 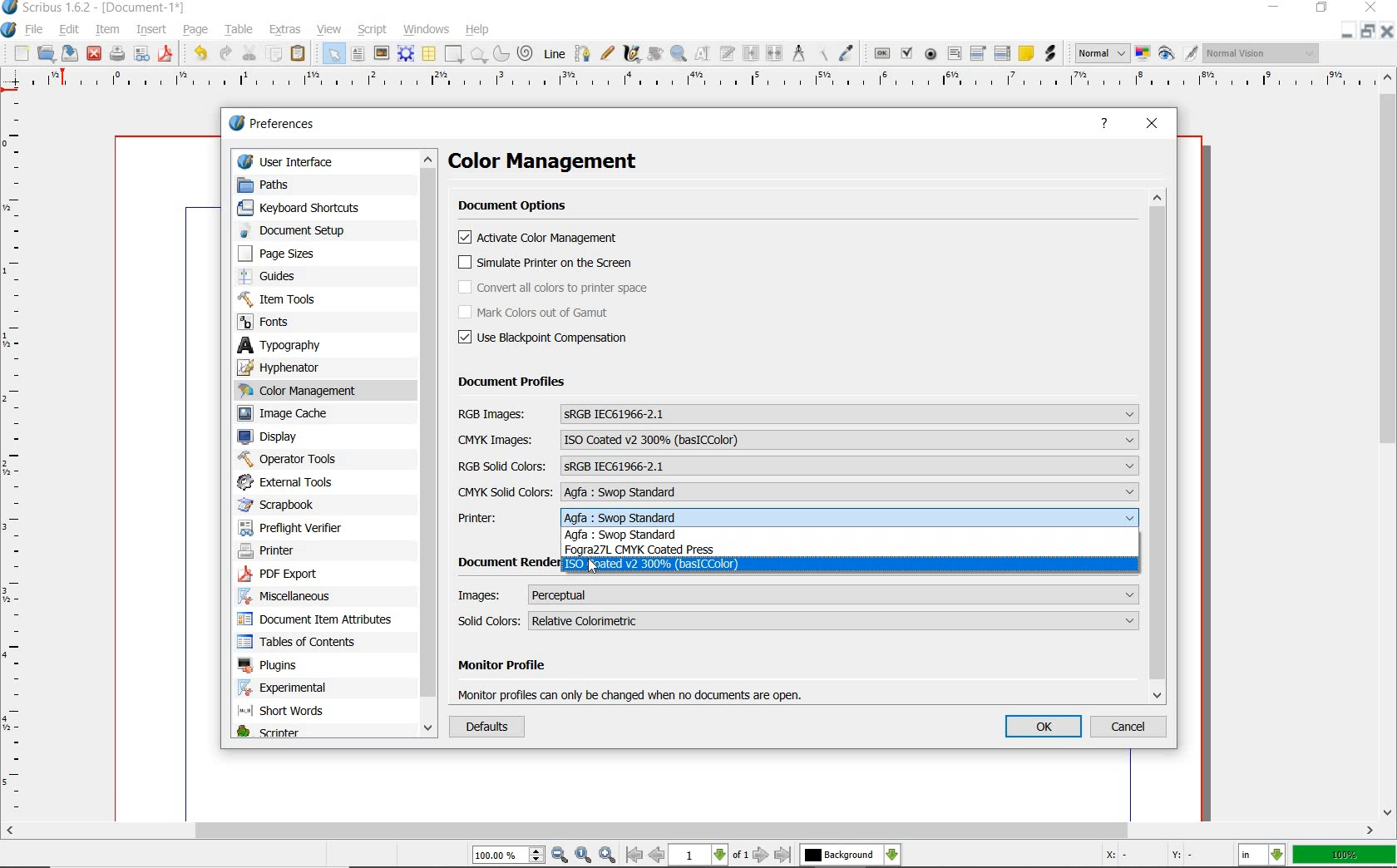 I want to click on paste, so click(x=301, y=55).